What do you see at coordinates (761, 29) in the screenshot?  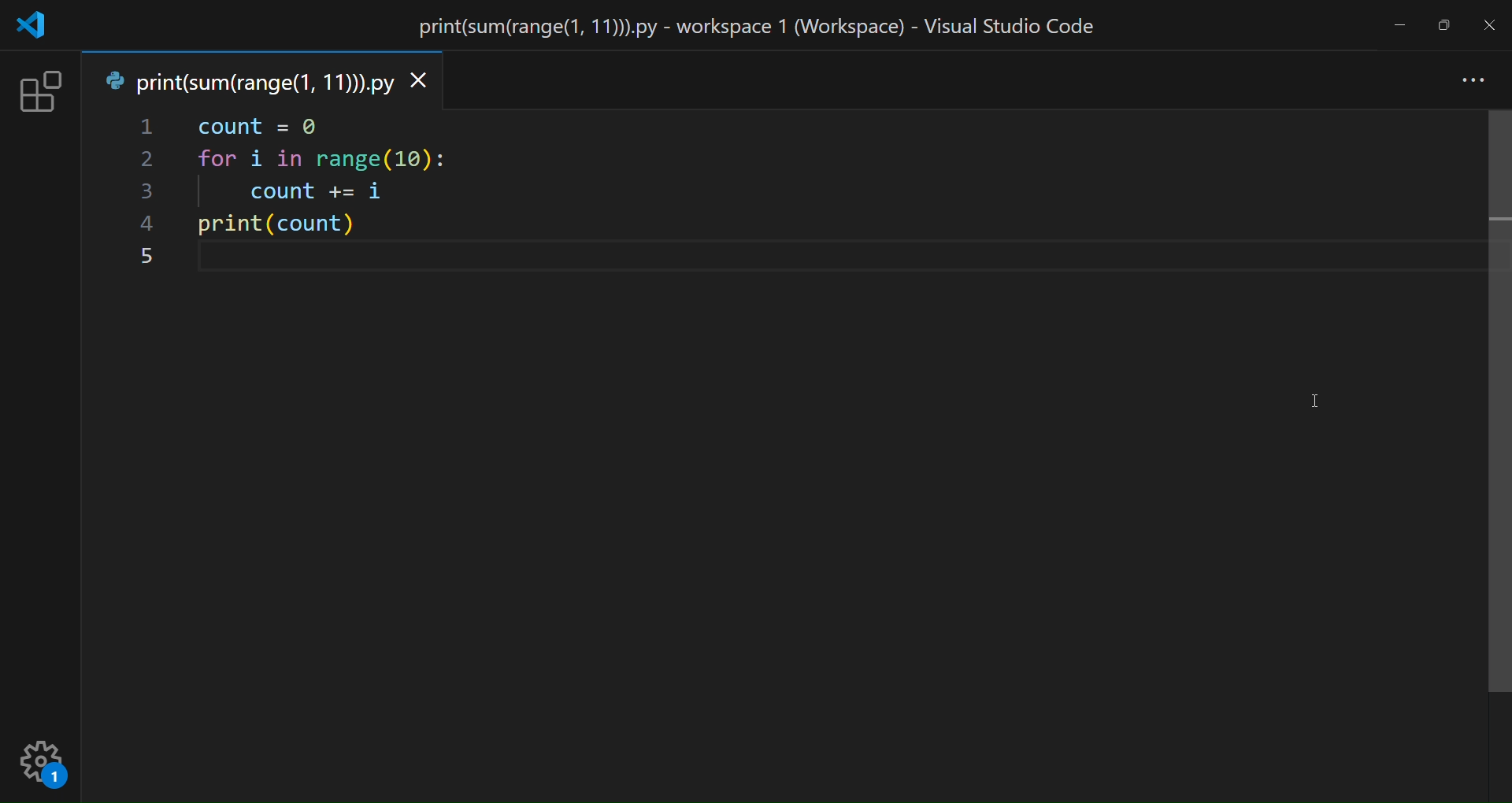 I see `title` at bounding box center [761, 29].